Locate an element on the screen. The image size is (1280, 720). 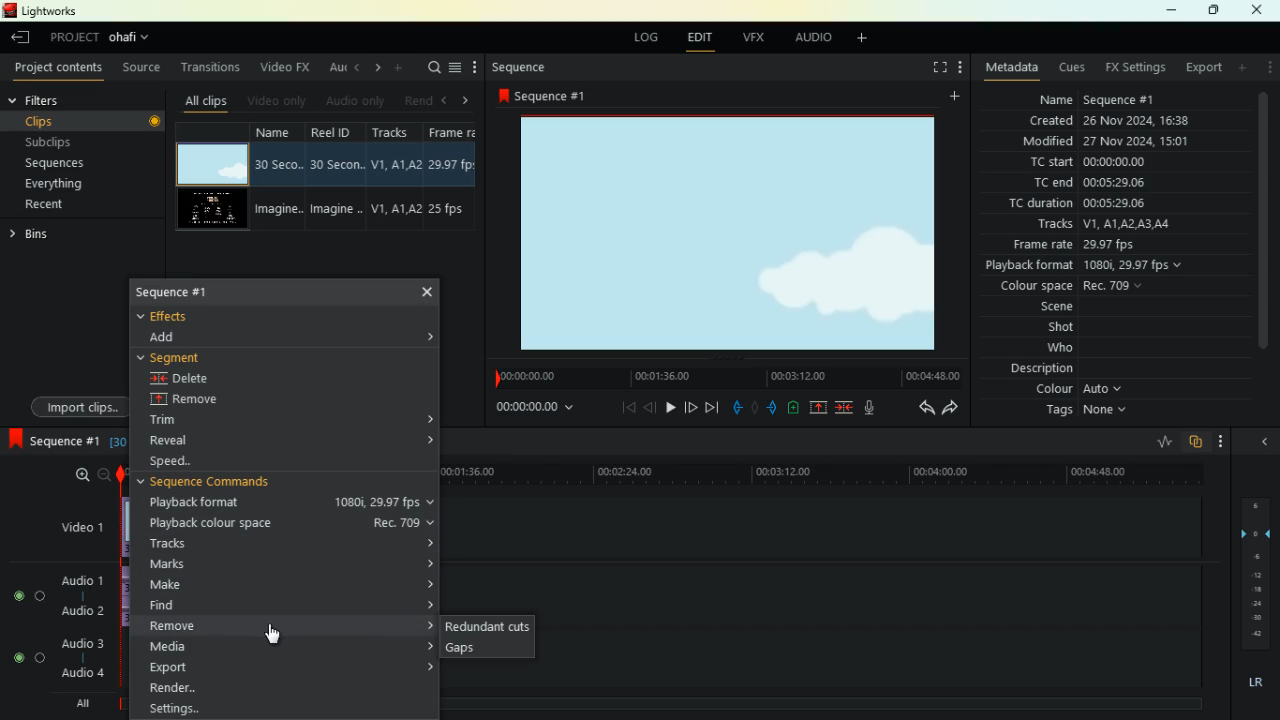
videos is located at coordinates (215, 207).